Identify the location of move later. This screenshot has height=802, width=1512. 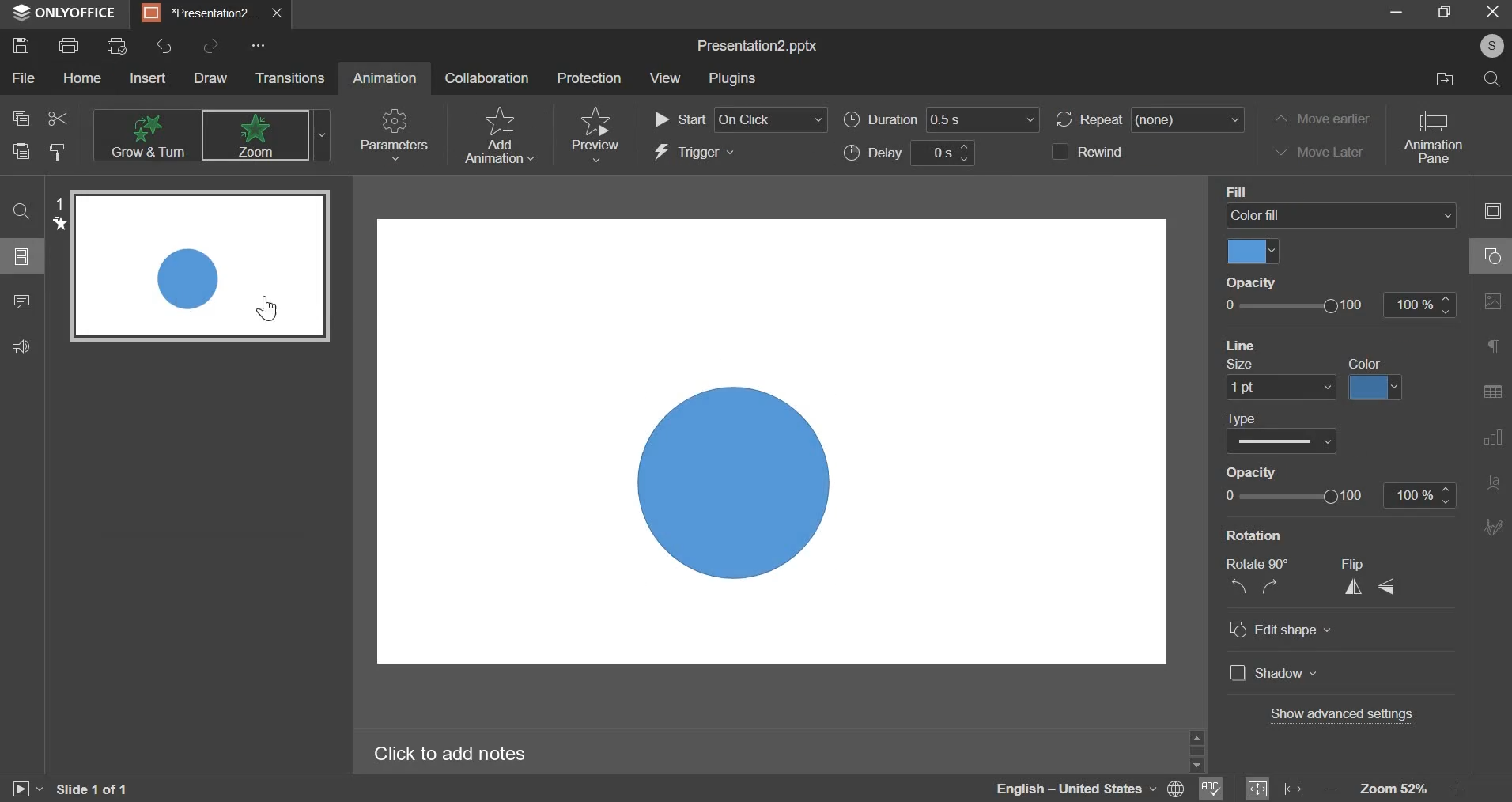
(1323, 150).